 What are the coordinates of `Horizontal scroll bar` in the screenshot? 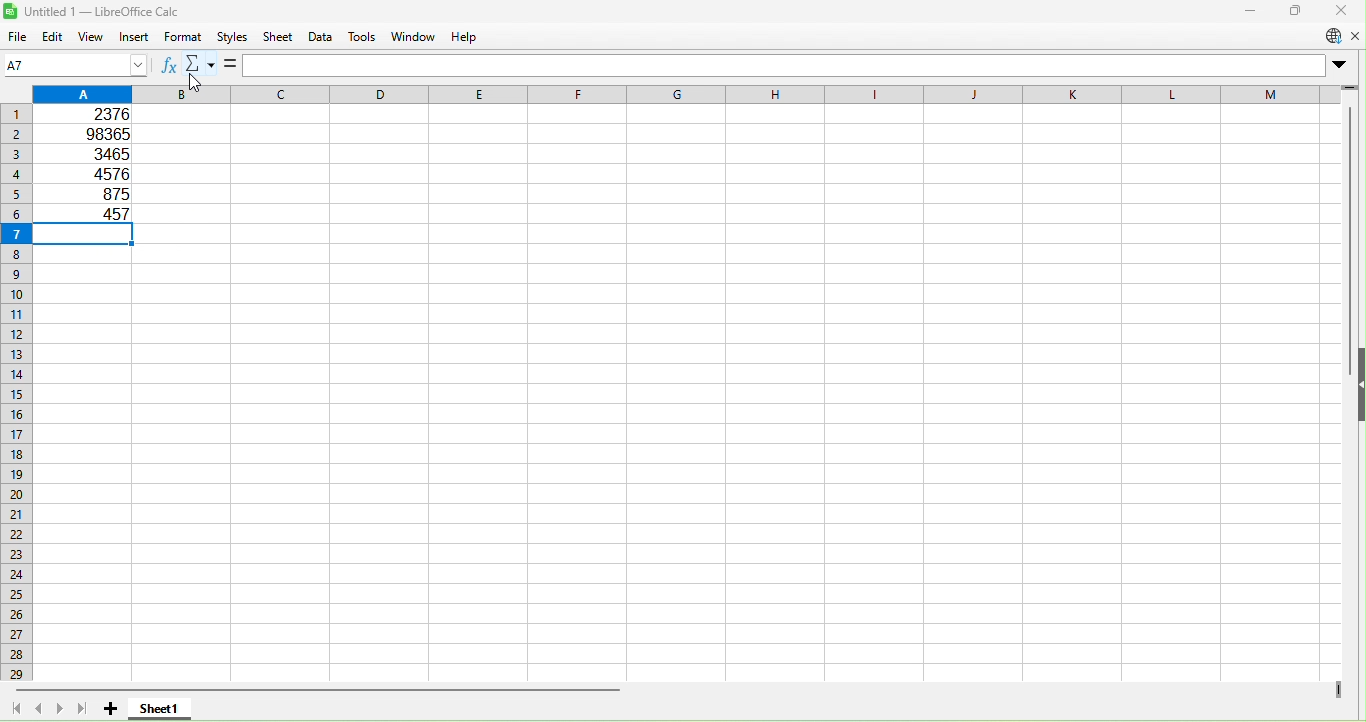 It's located at (691, 690).